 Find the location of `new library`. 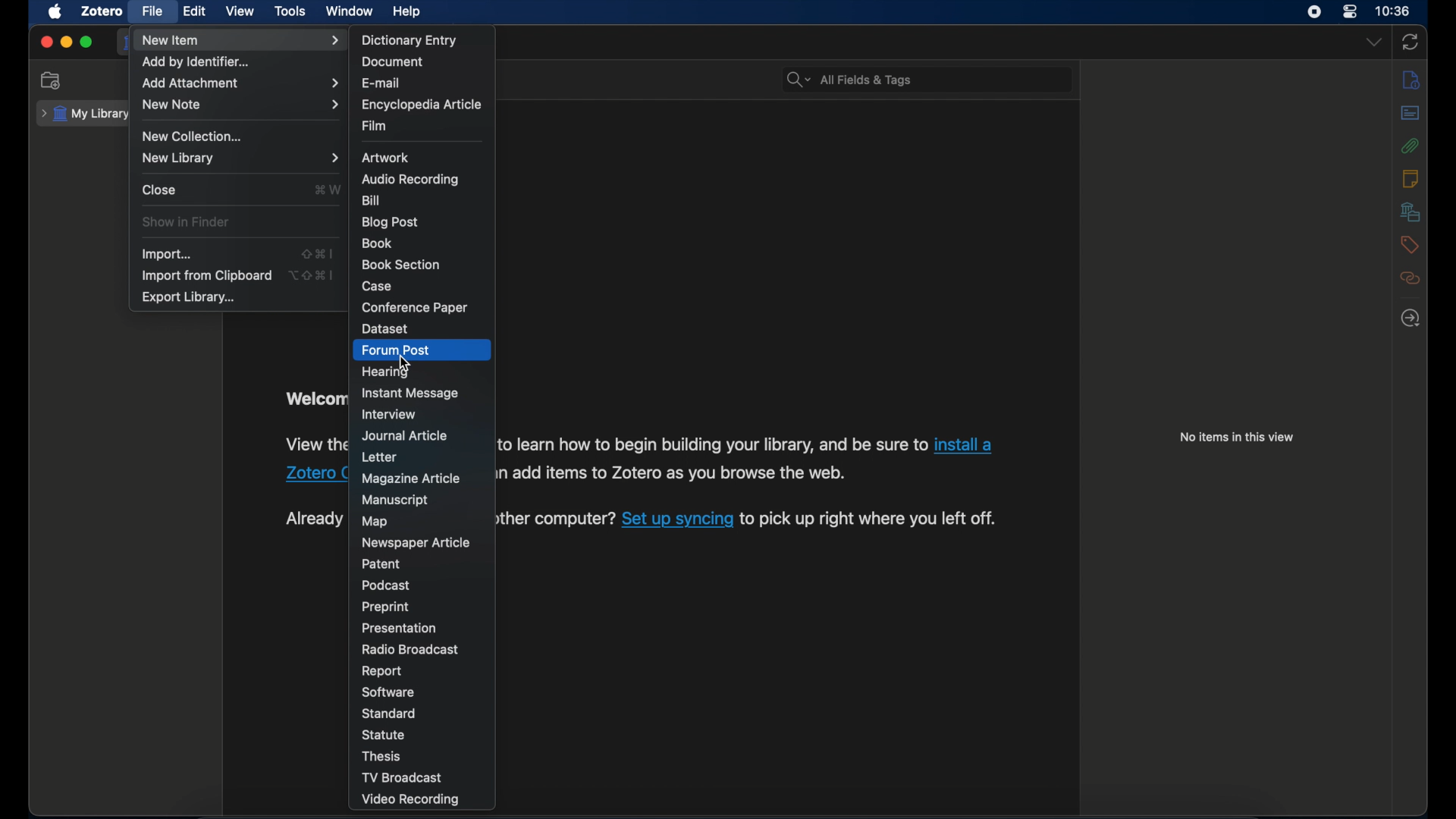

new library is located at coordinates (242, 158).